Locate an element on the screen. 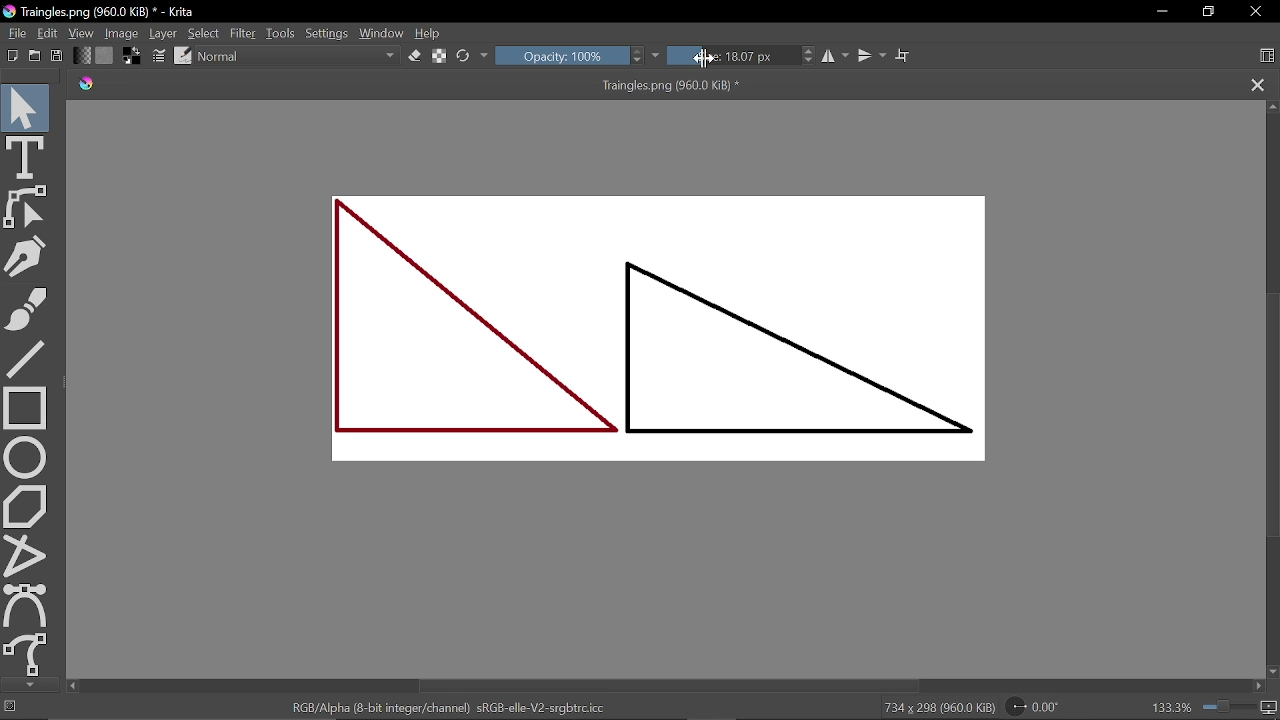  Normal is located at coordinates (298, 56).